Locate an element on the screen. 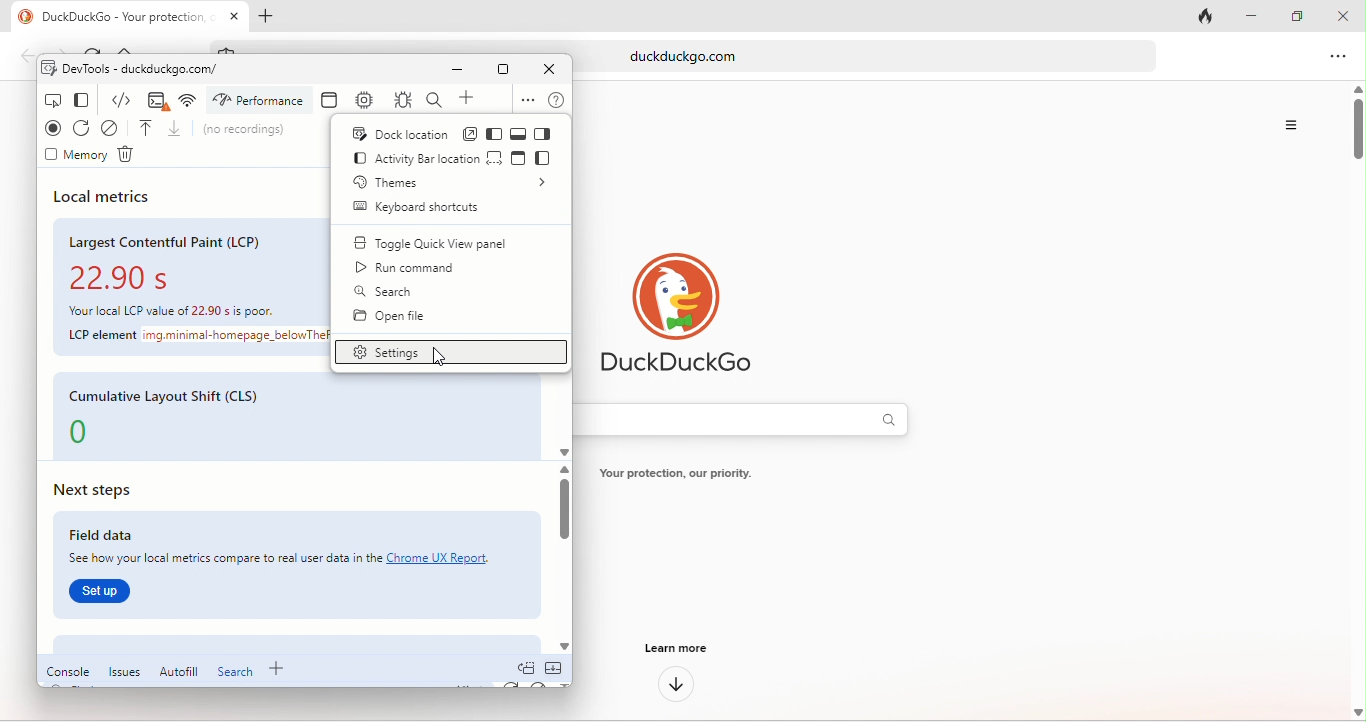 The image size is (1366, 722). record is located at coordinates (56, 128).